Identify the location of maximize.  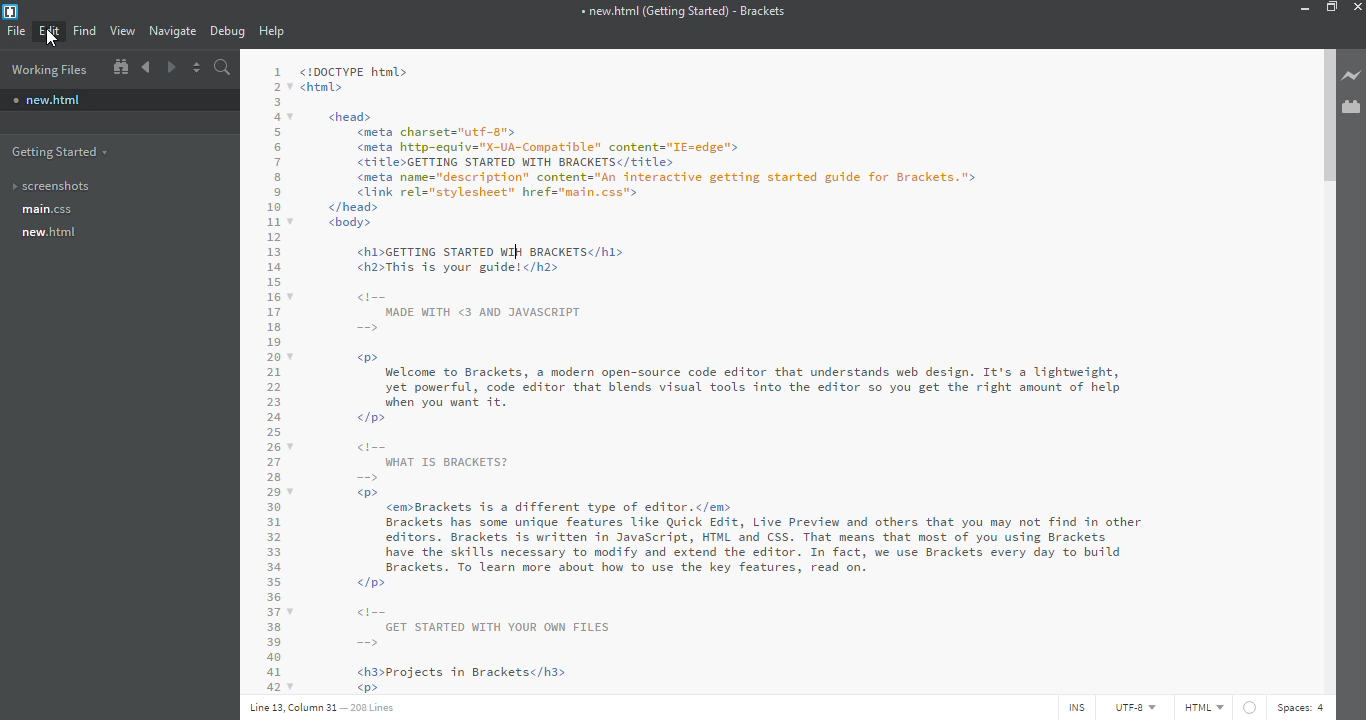
(1331, 7).